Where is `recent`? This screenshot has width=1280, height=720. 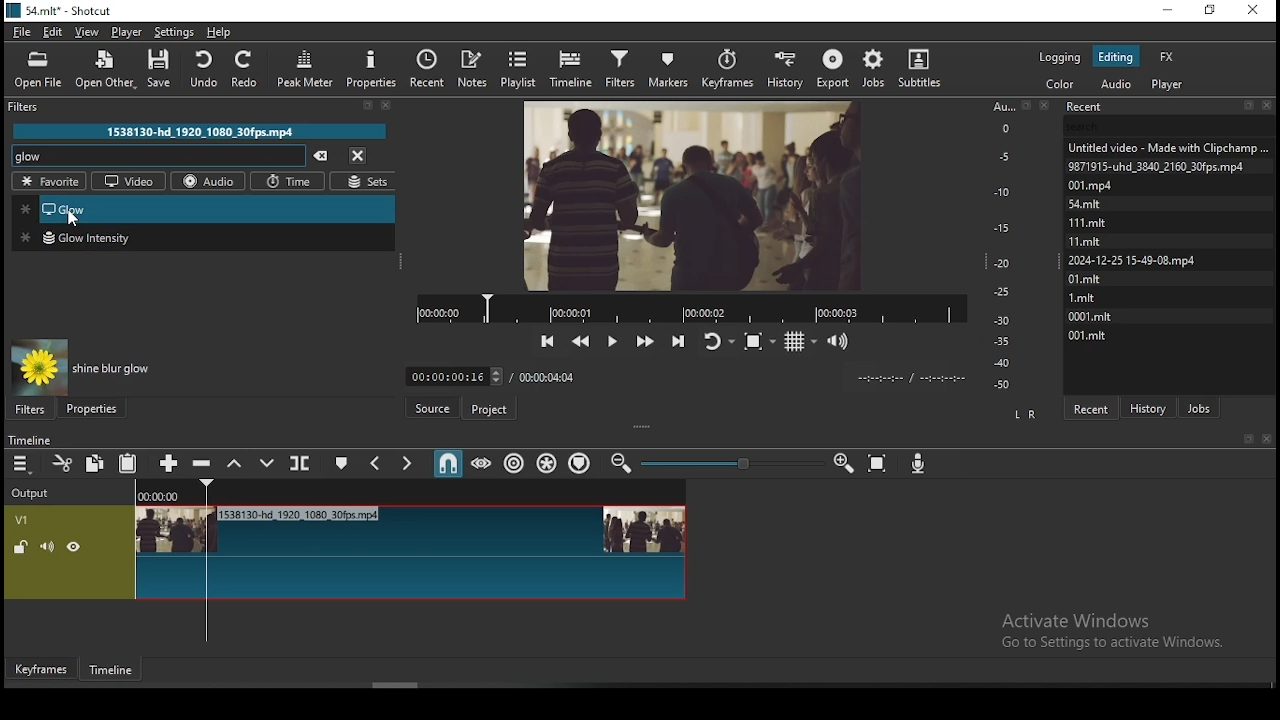
recent is located at coordinates (427, 69).